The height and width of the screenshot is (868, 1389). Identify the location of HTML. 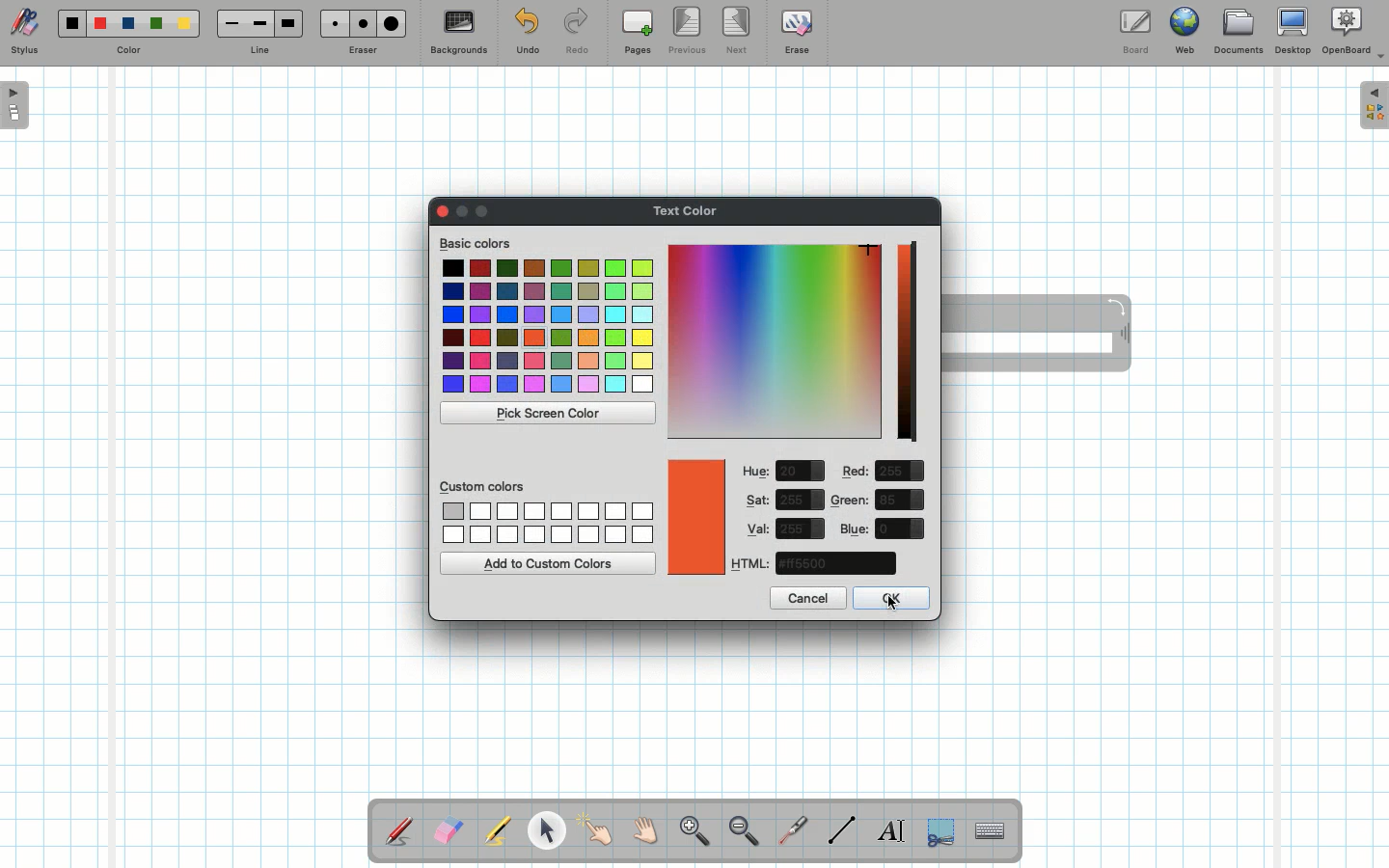
(751, 563).